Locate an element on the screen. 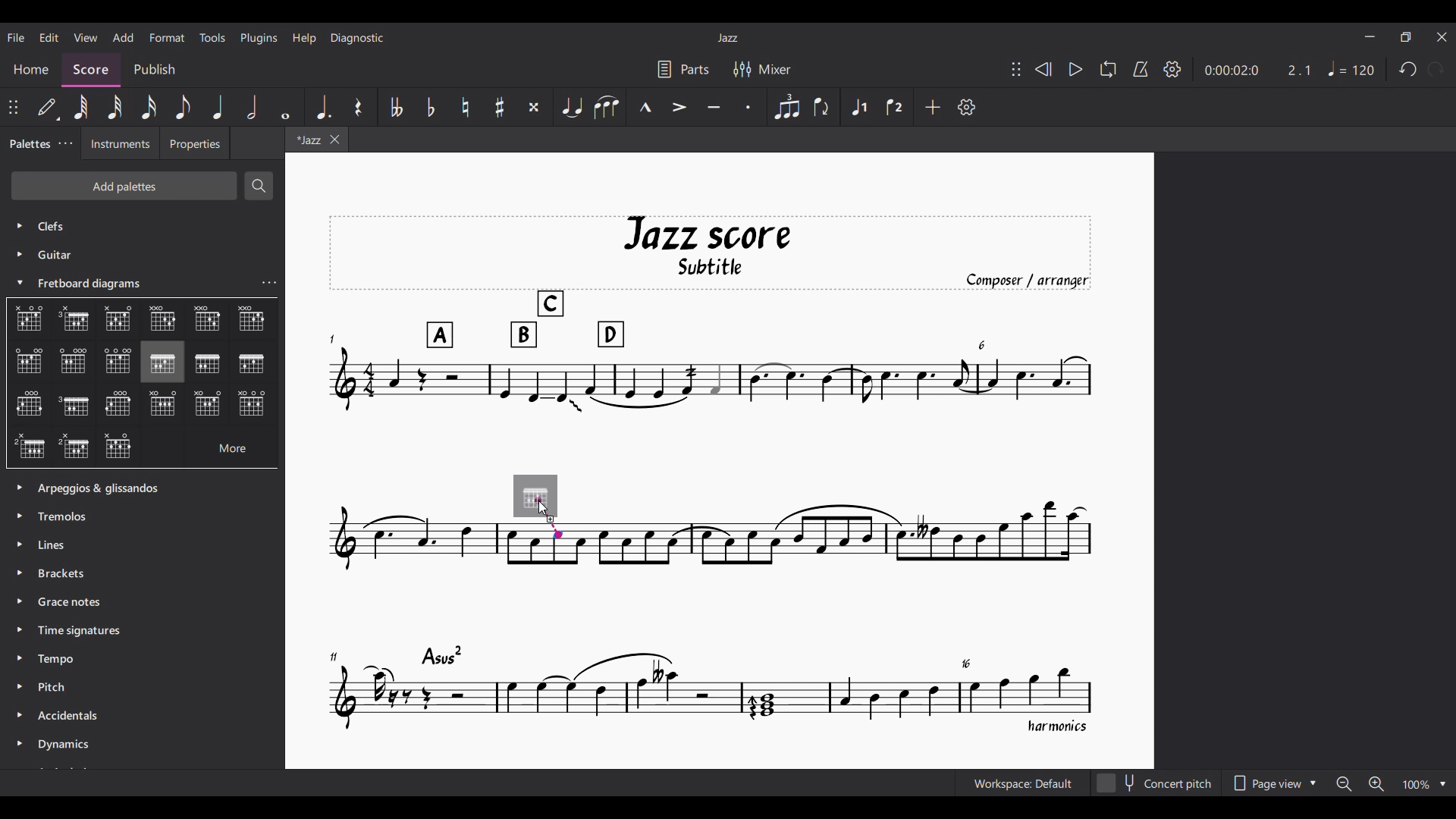  Chart 12 is located at coordinates (28, 405).